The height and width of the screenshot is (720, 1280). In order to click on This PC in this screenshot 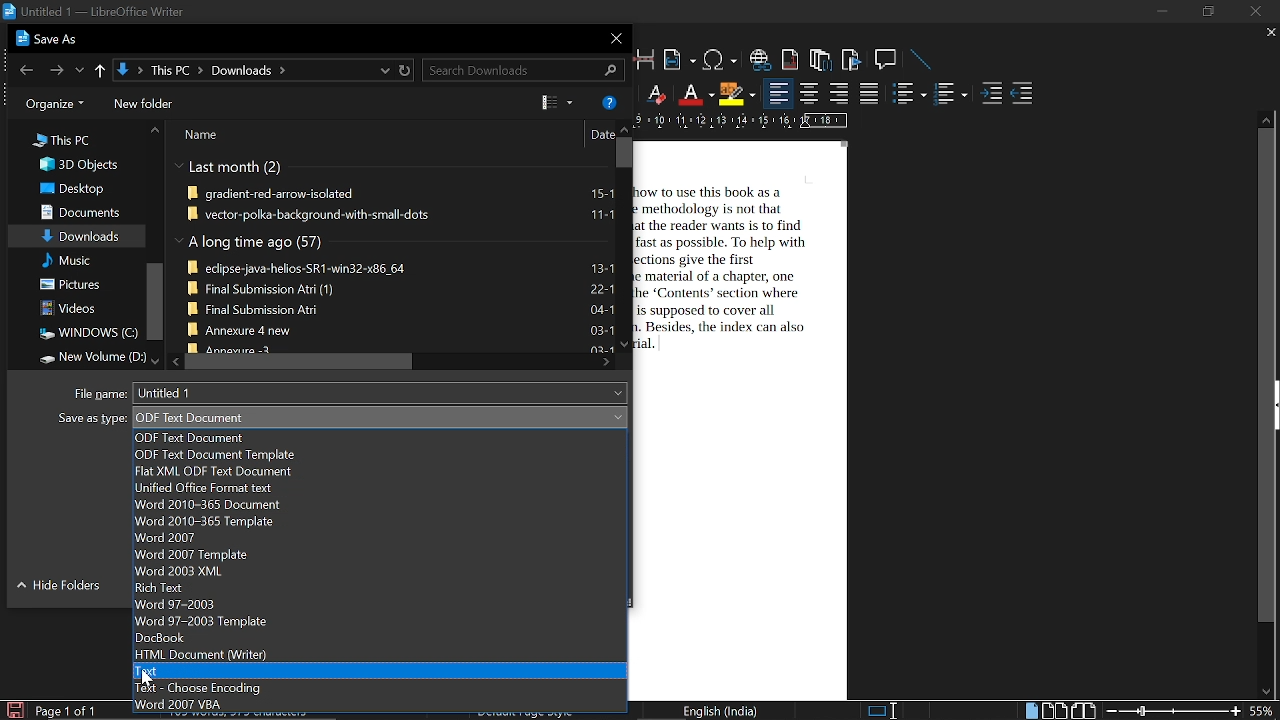, I will do `click(62, 139)`.